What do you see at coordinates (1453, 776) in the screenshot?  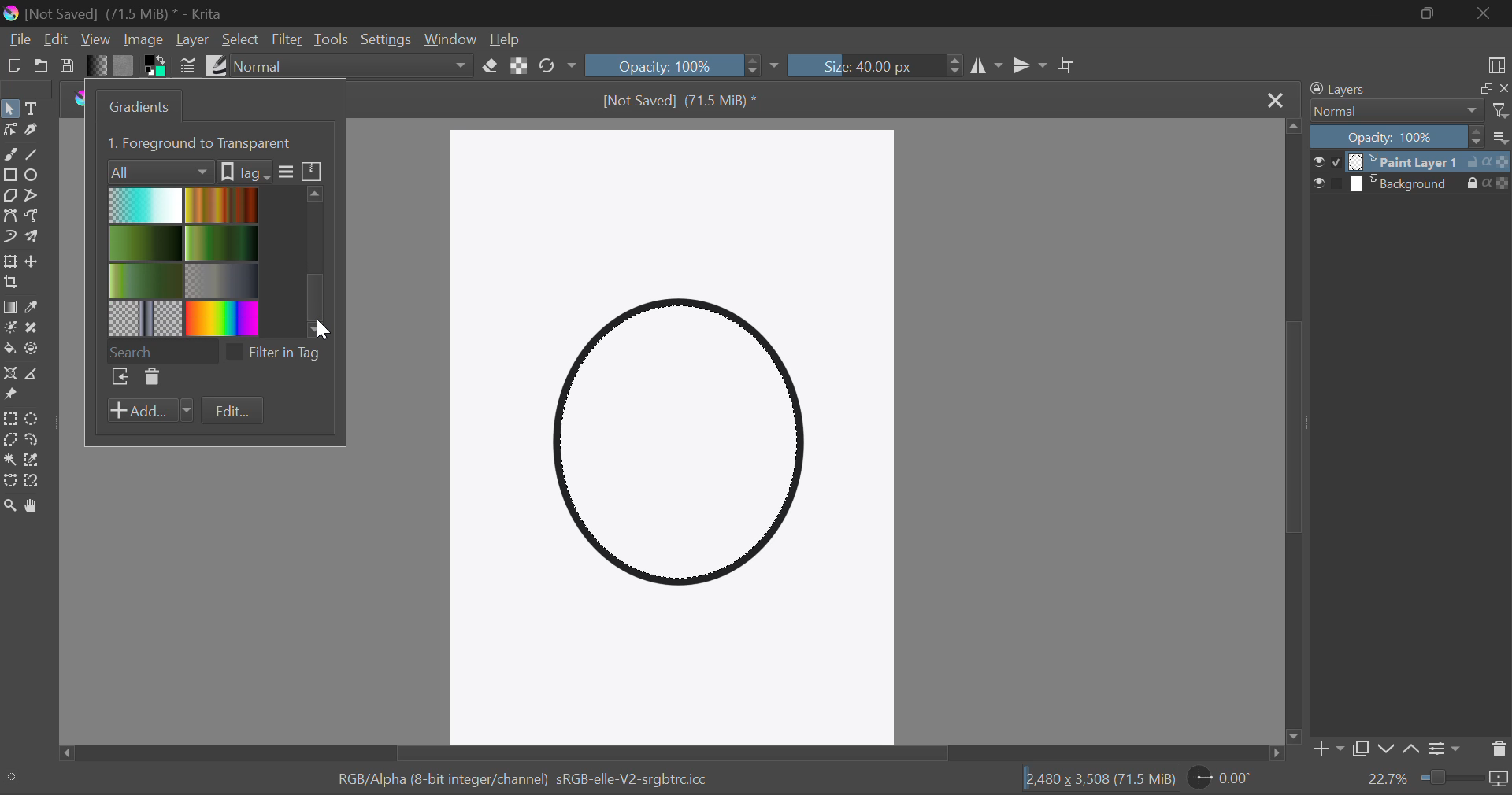 I see `zoom slider` at bounding box center [1453, 776].